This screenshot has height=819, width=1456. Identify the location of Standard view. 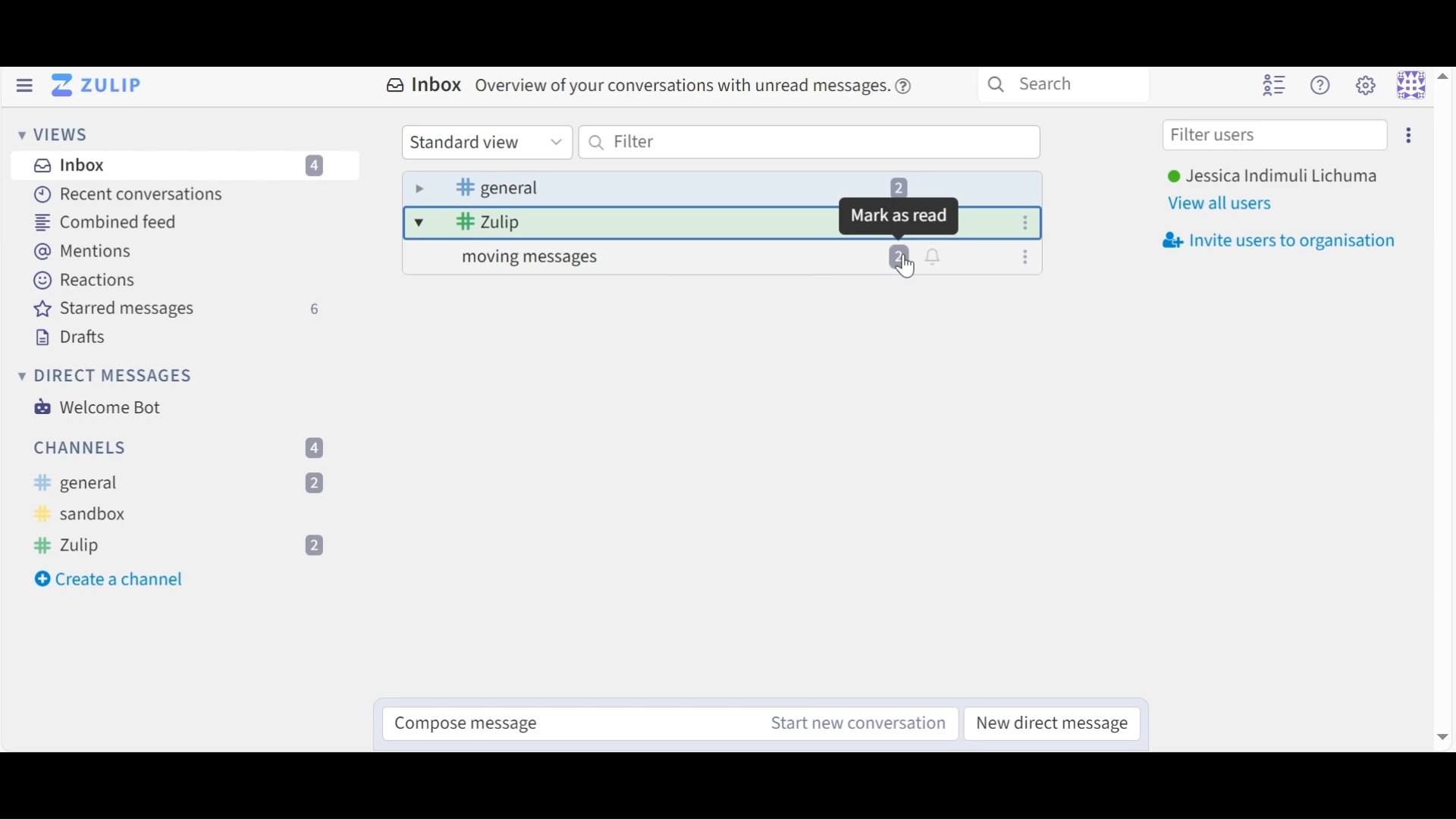
(489, 143).